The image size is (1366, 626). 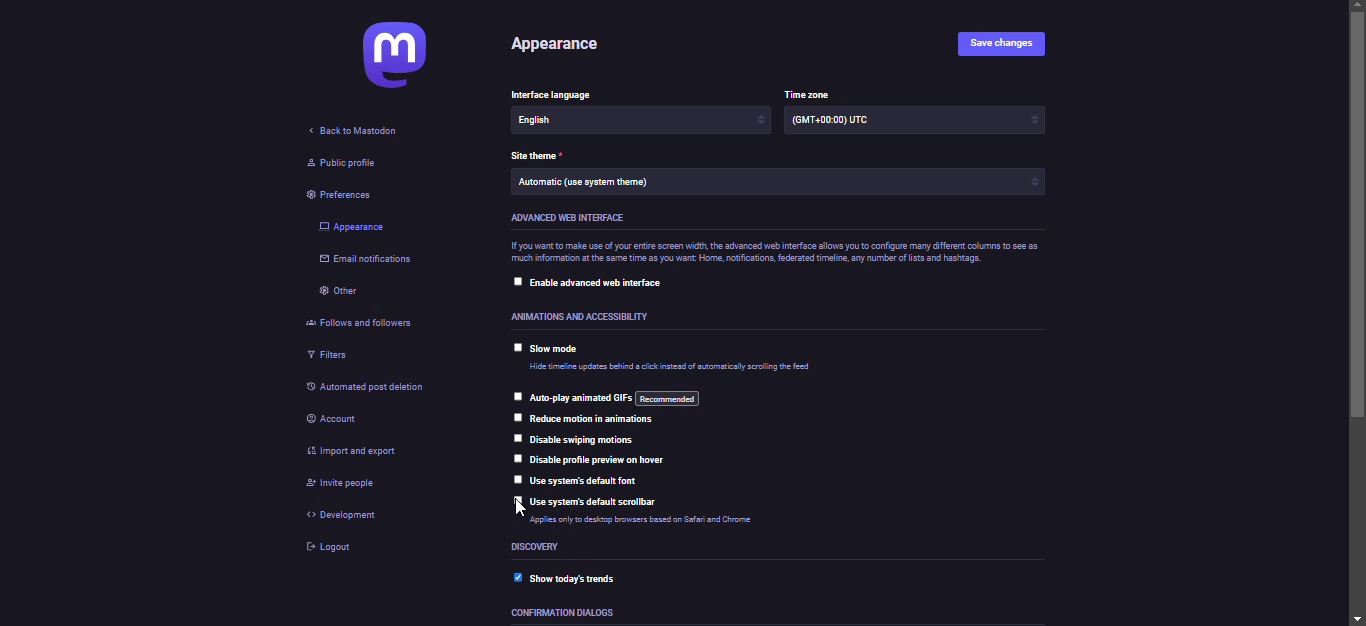 What do you see at coordinates (355, 133) in the screenshot?
I see `back to mastodon` at bounding box center [355, 133].